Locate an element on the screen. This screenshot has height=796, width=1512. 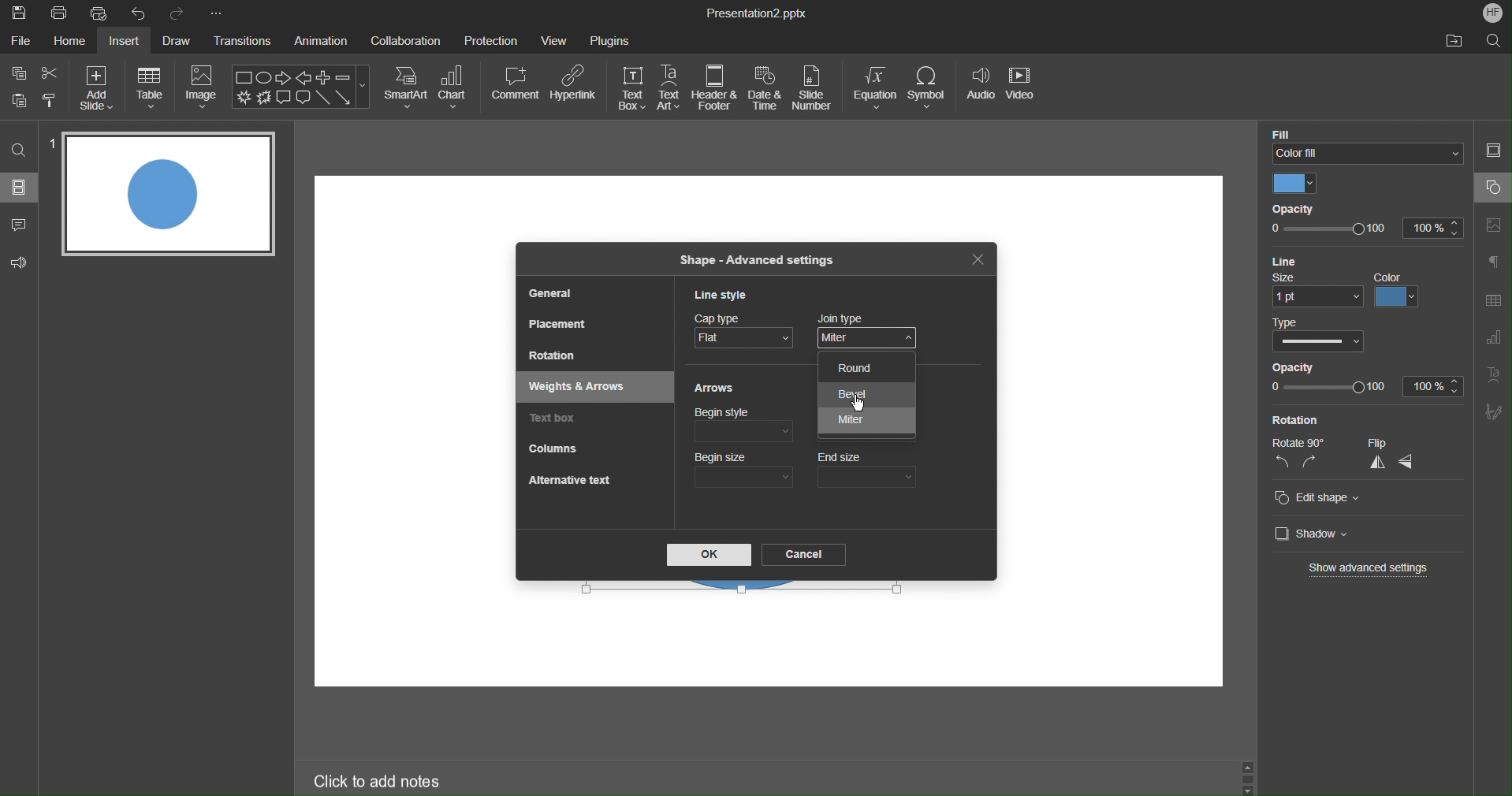
Sildes is located at coordinates (20, 187).